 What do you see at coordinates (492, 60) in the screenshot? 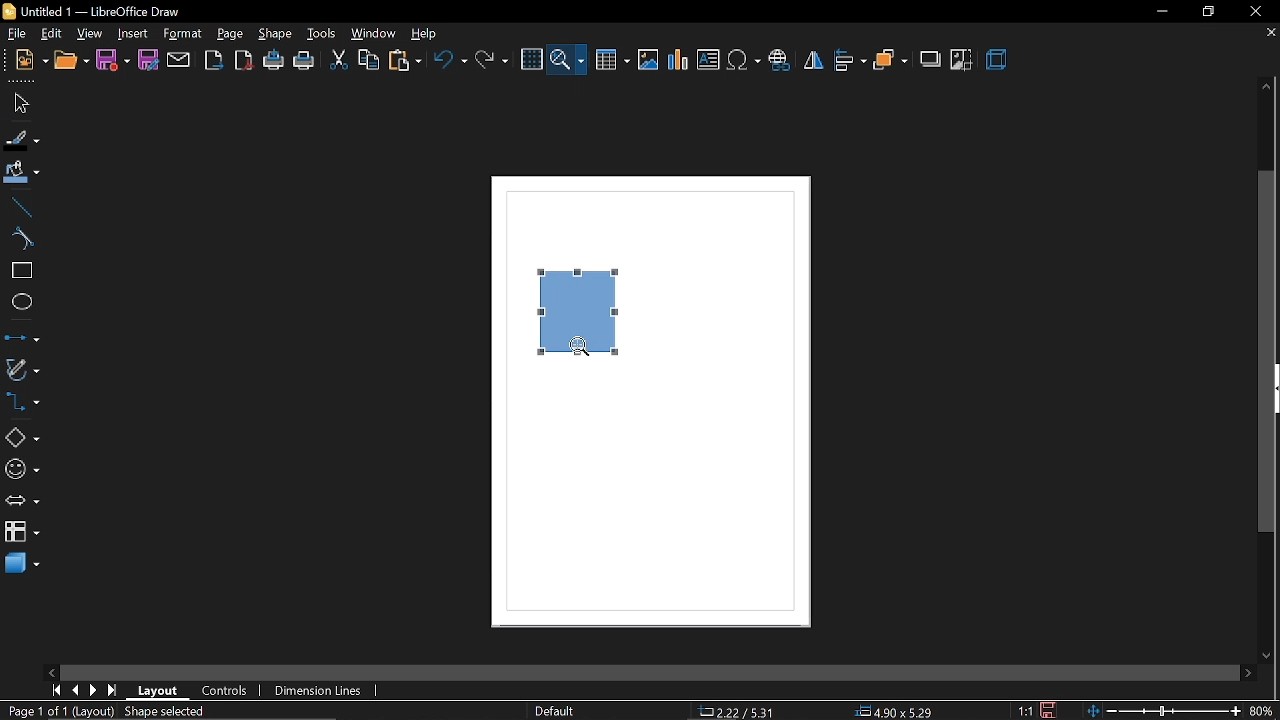
I see `redo` at bounding box center [492, 60].